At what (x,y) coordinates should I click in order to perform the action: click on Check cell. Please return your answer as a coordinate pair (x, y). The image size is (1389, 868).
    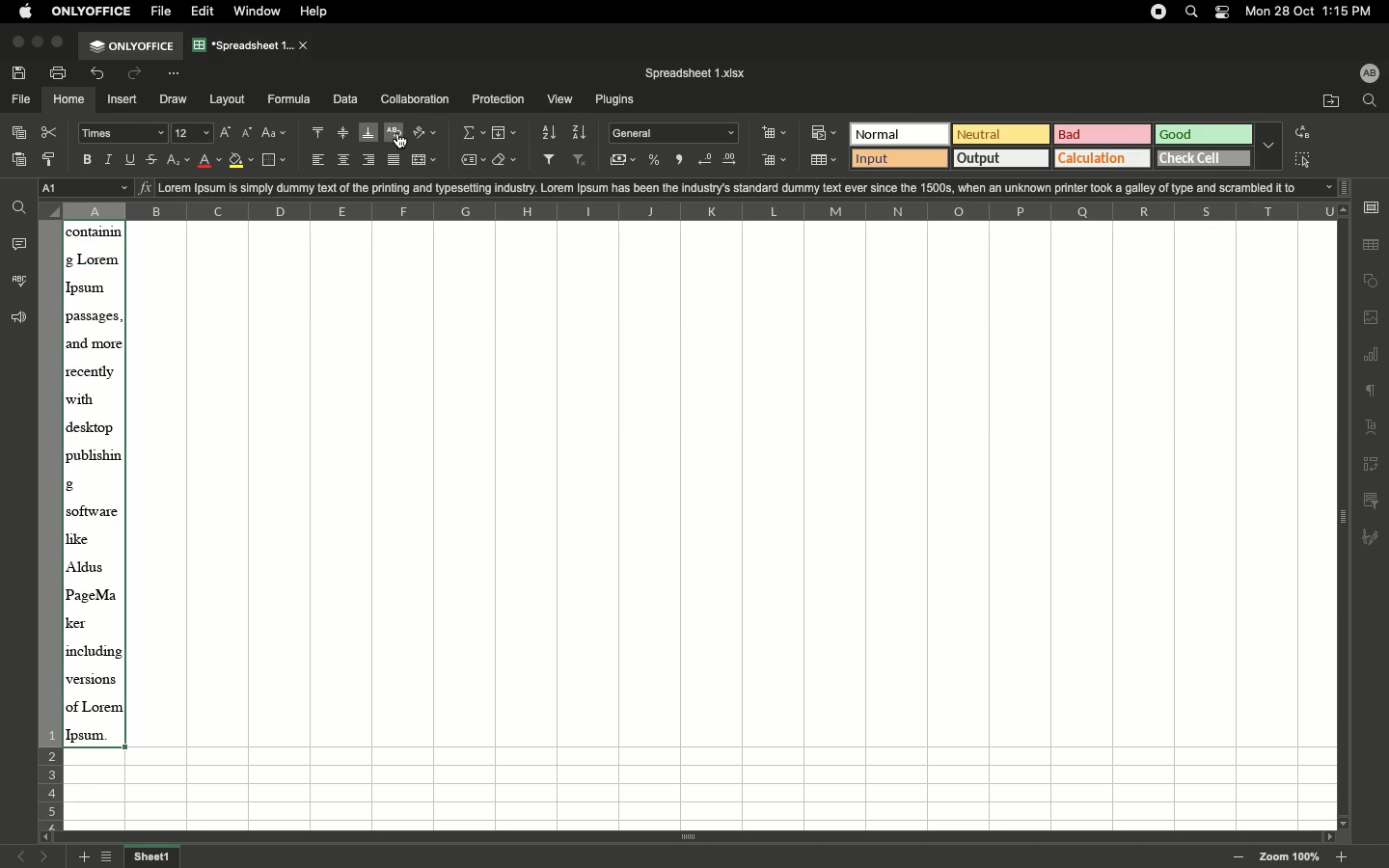
    Looking at the image, I should click on (1205, 159).